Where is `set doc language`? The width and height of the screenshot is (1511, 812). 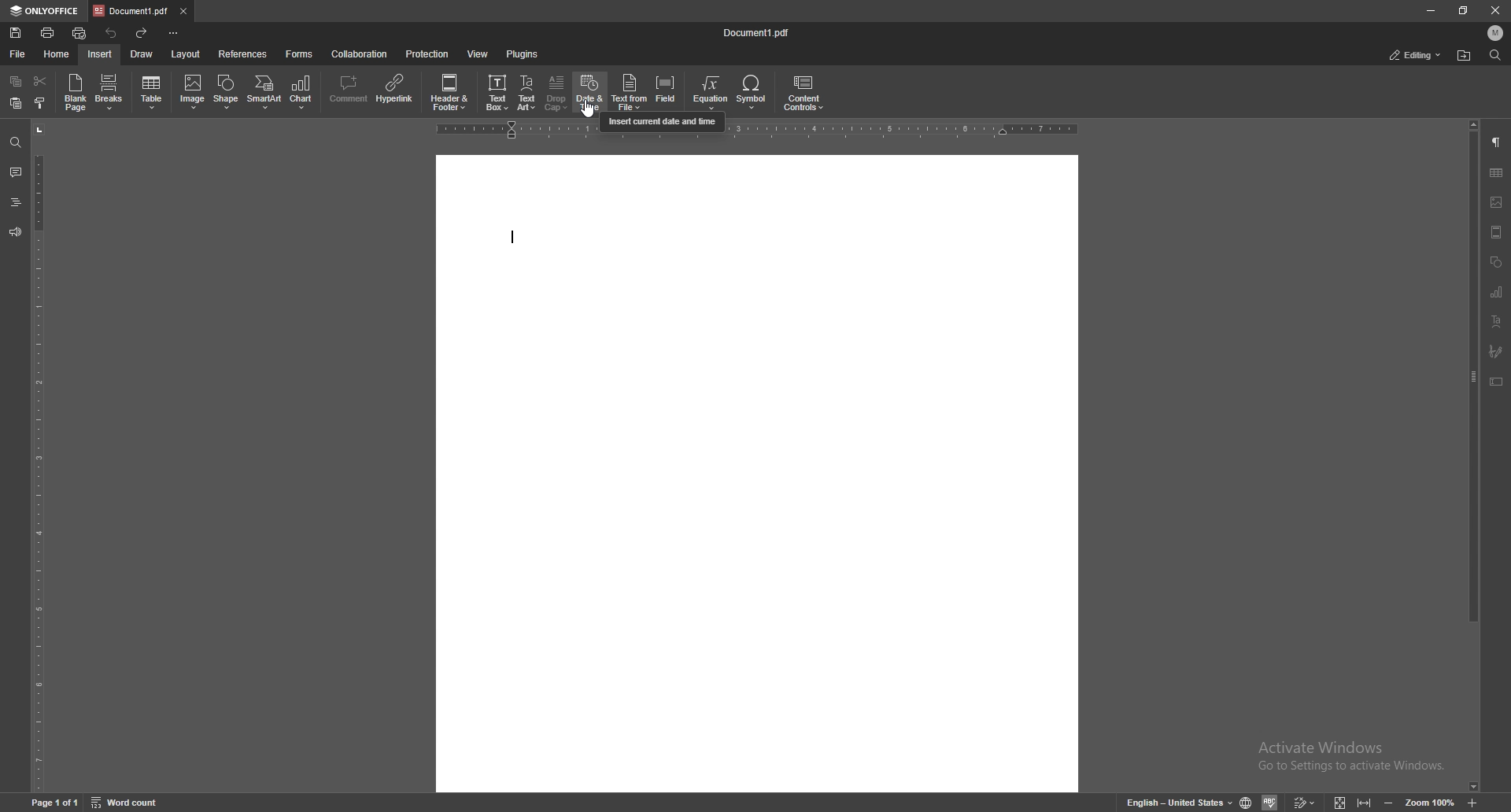 set doc language is located at coordinates (1247, 802).